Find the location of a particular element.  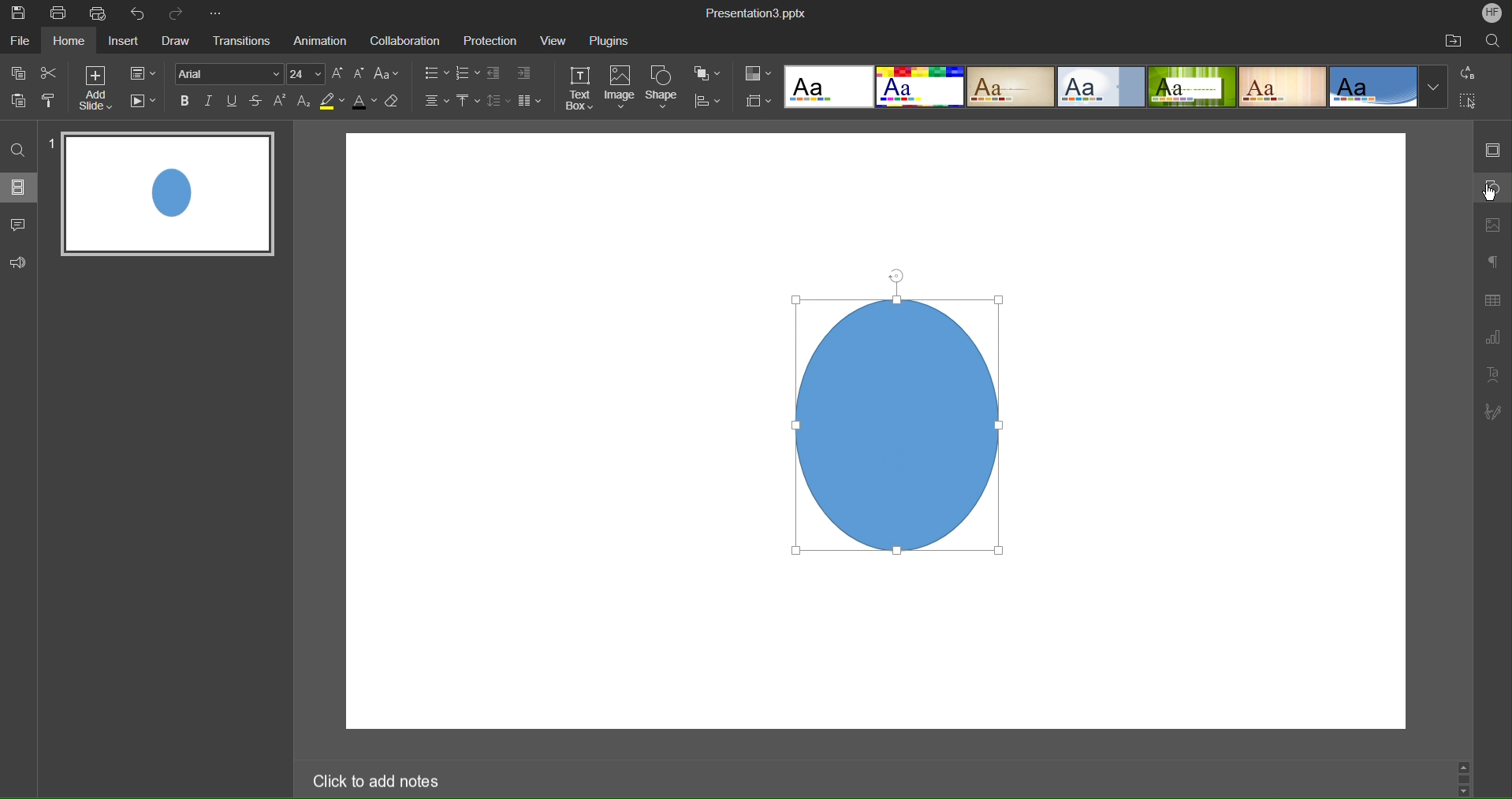

Underline is located at coordinates (233, 103).